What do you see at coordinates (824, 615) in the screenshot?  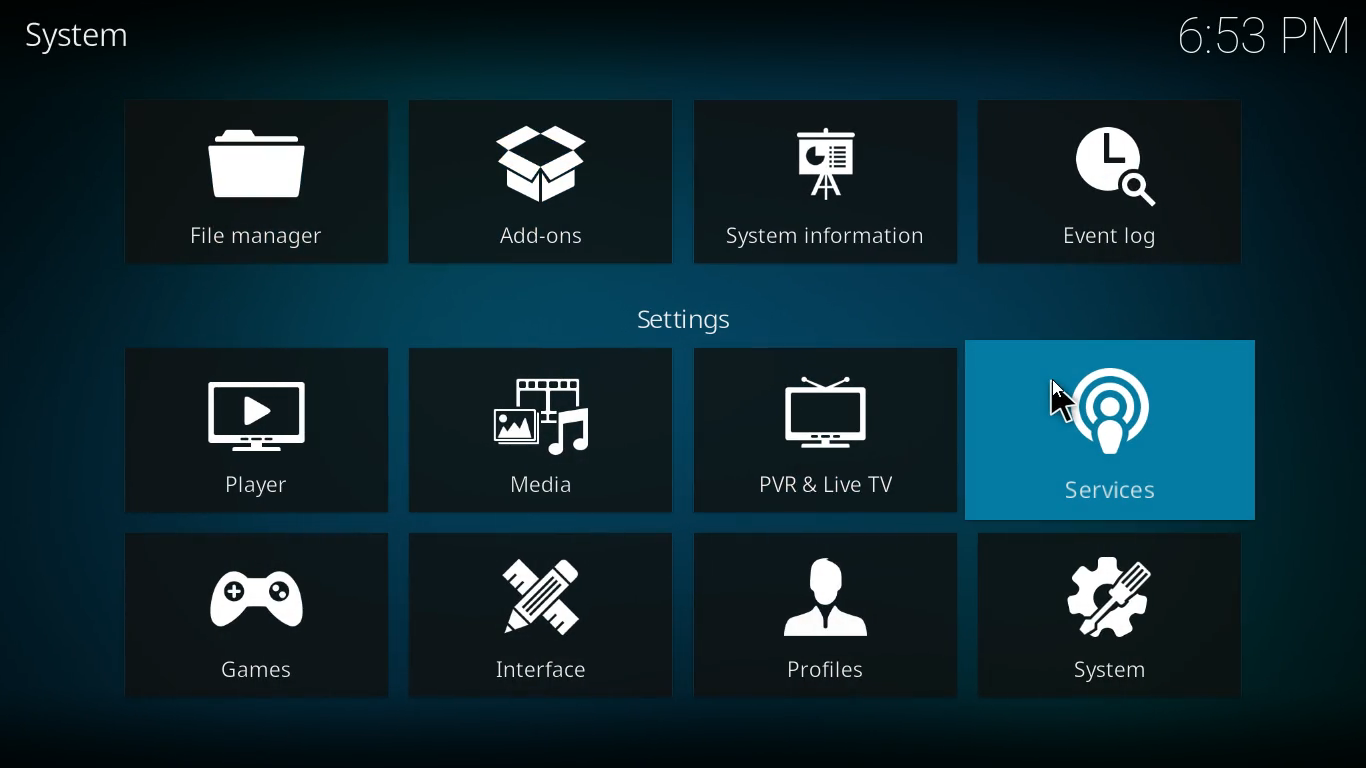 I see `profiles` at bounding box center [824, 615].